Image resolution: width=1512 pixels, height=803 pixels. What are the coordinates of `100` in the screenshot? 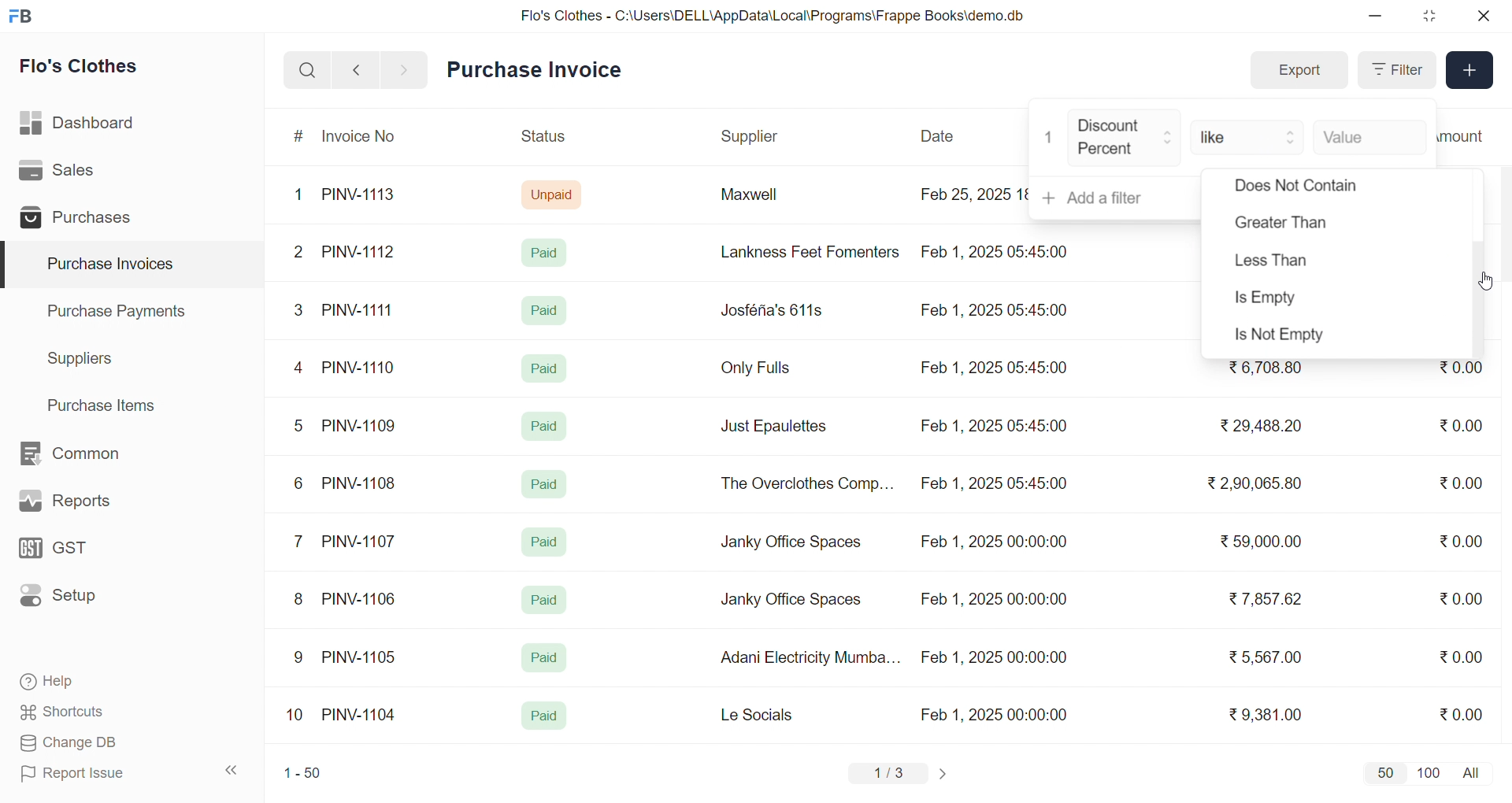 It's located at (1426, 772).